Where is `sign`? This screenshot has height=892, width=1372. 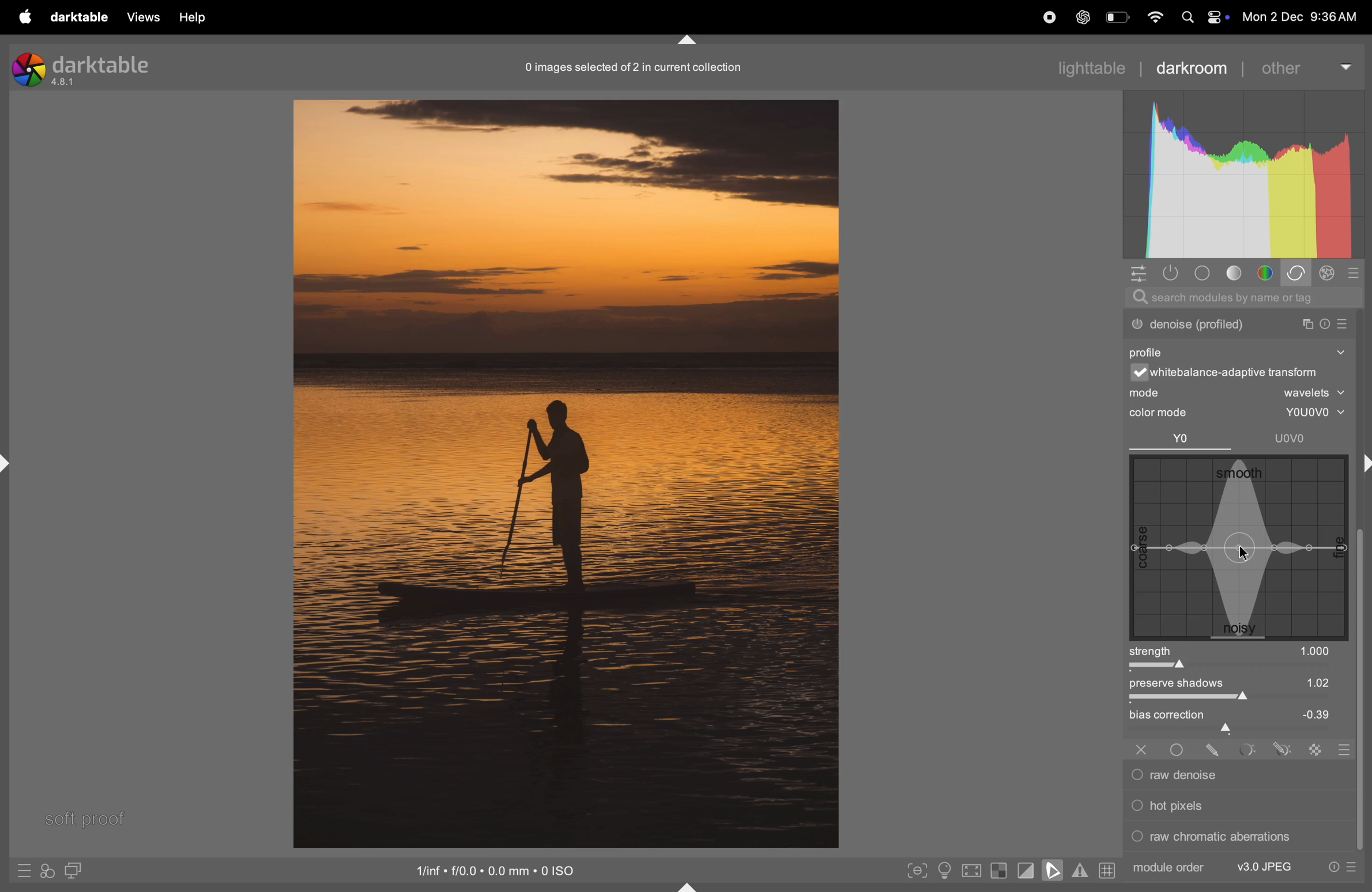 sign is located at coordinates (1280, 749).